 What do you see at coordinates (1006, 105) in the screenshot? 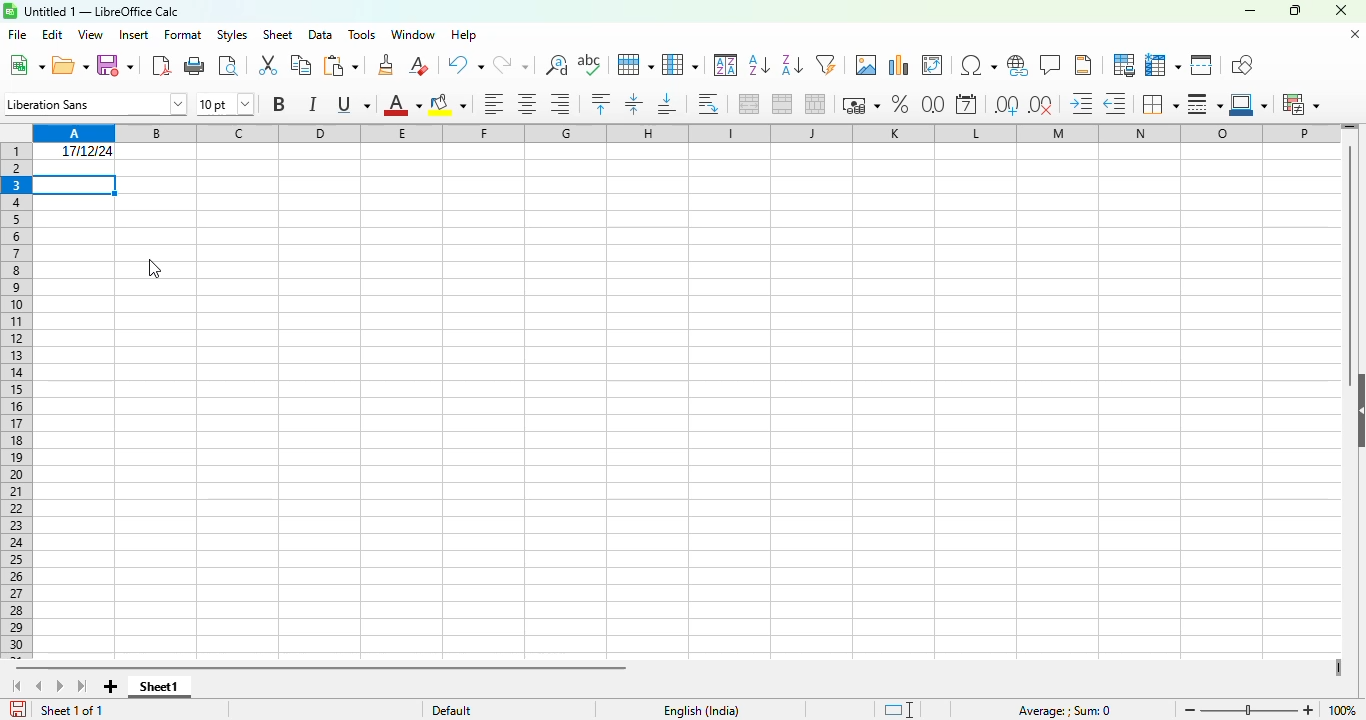
I see `add decimal` at bounding box center [1006, 105].